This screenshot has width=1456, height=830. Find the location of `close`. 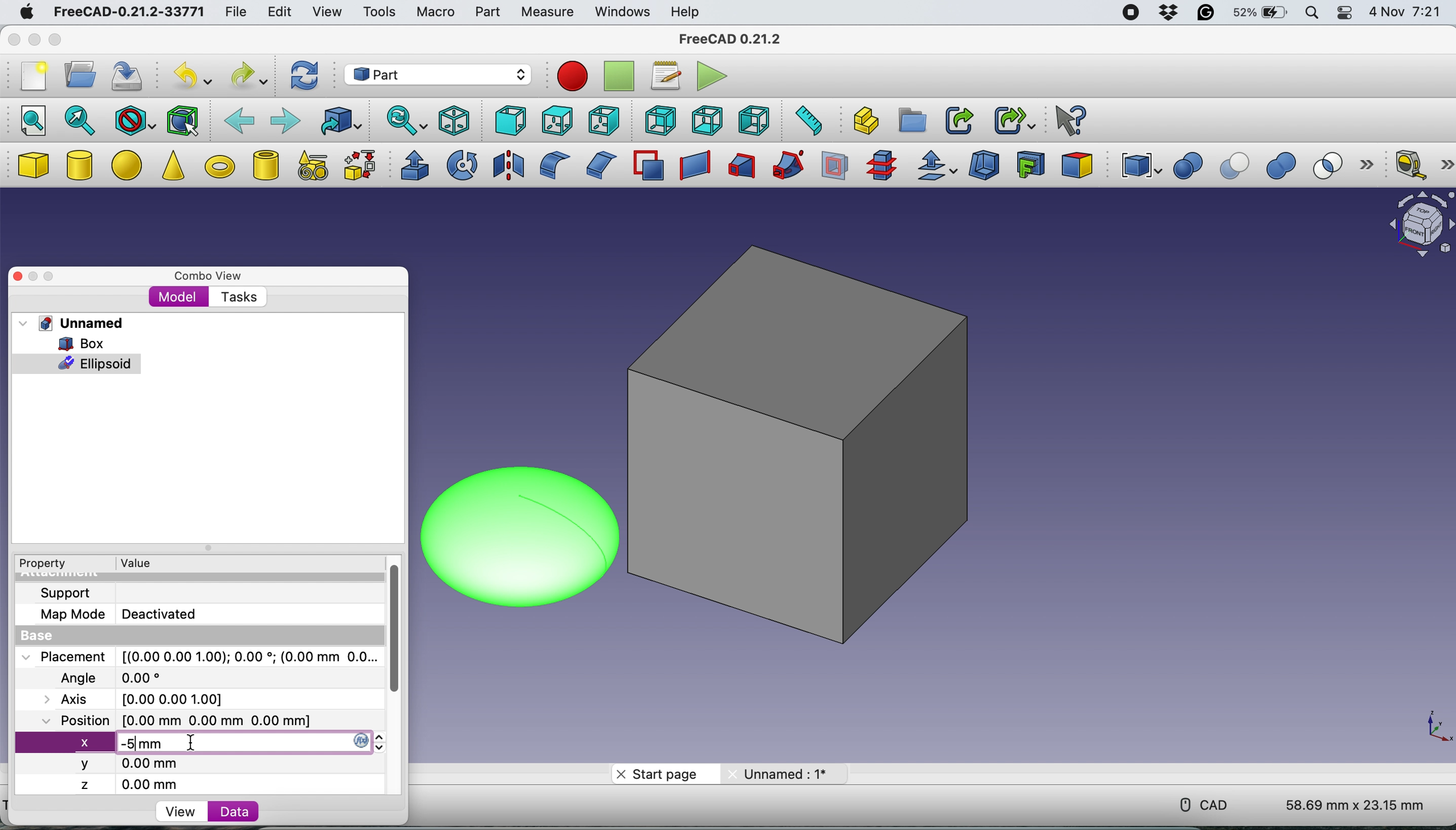

close is located at coordinates (18, 276).